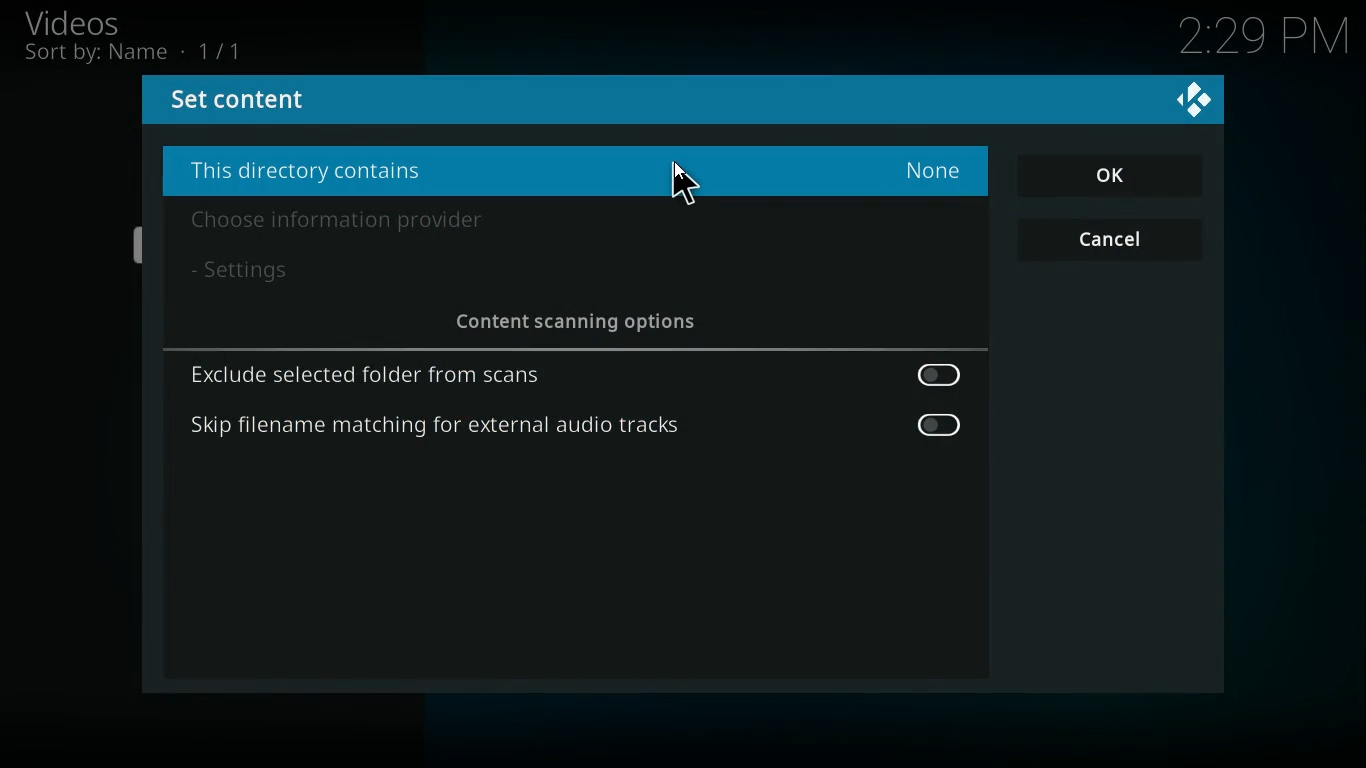  What do you see at coordinates (1194, 100) in the screenshot?
I see `kodi logo` at bounding box center [1194, 100].